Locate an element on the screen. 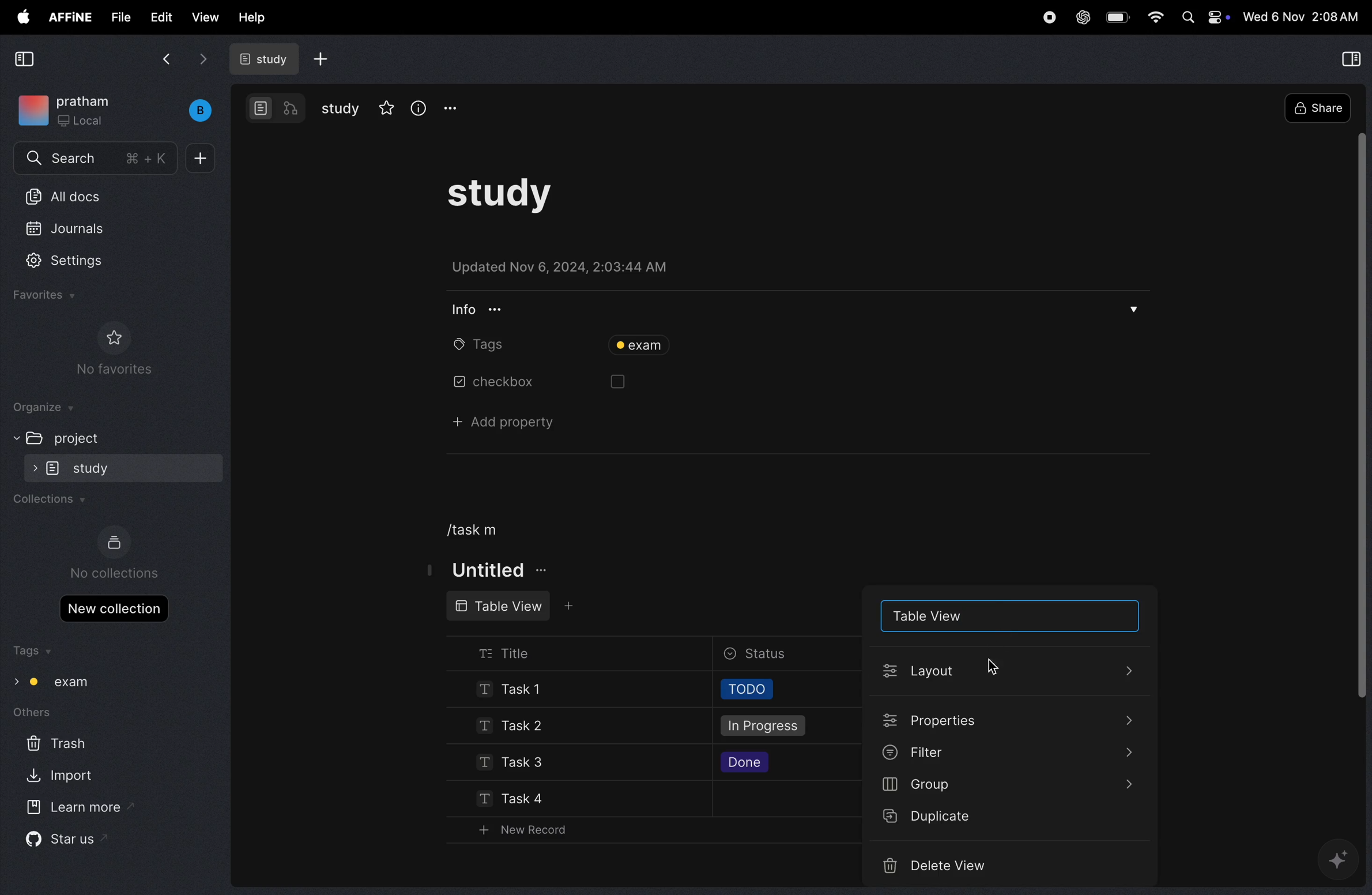 The image size is (1372, 895). study is located at coordinates (338, 110).